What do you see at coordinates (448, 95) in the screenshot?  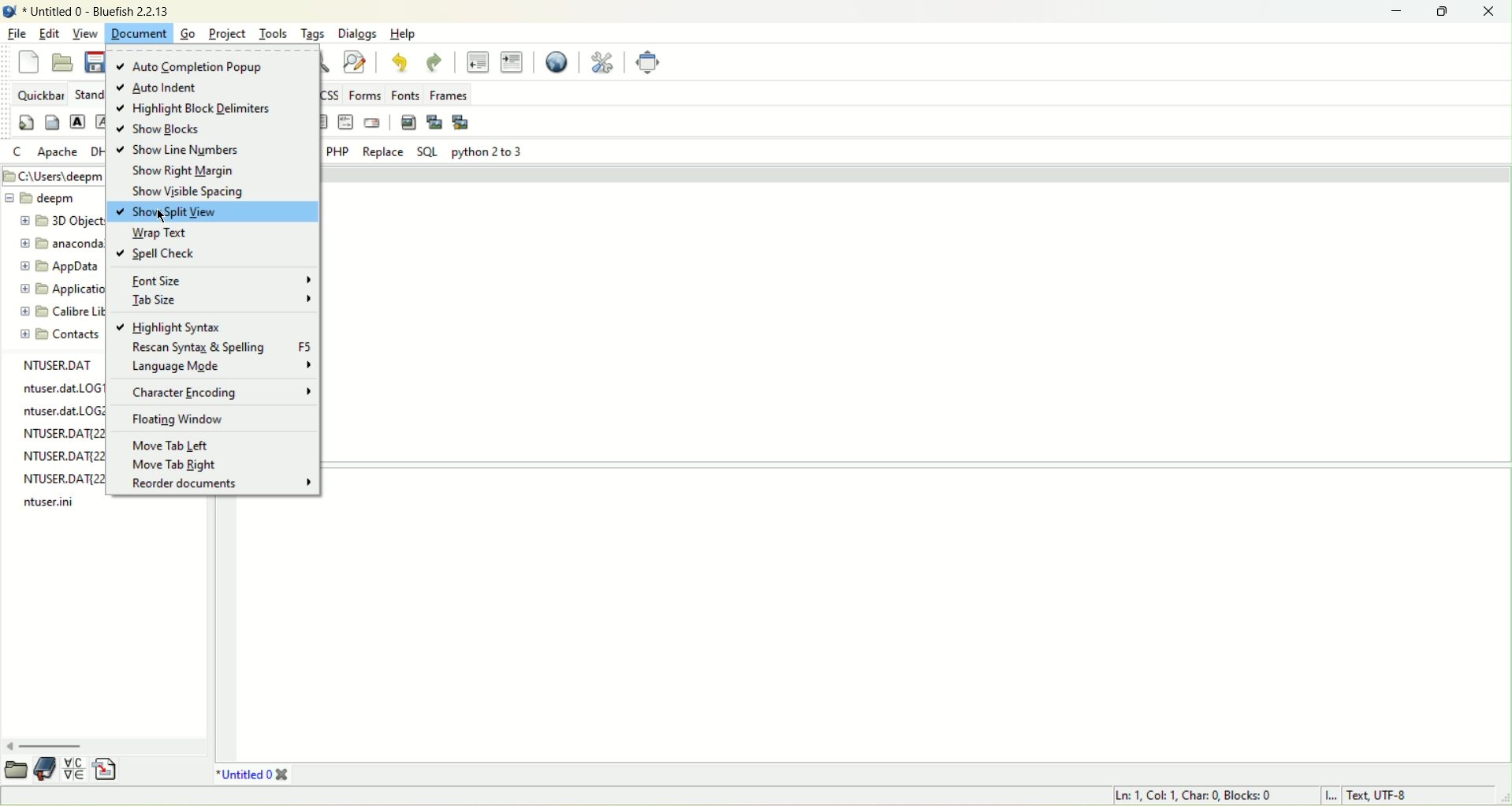 I see `frames` at bounding box center [448, 95].